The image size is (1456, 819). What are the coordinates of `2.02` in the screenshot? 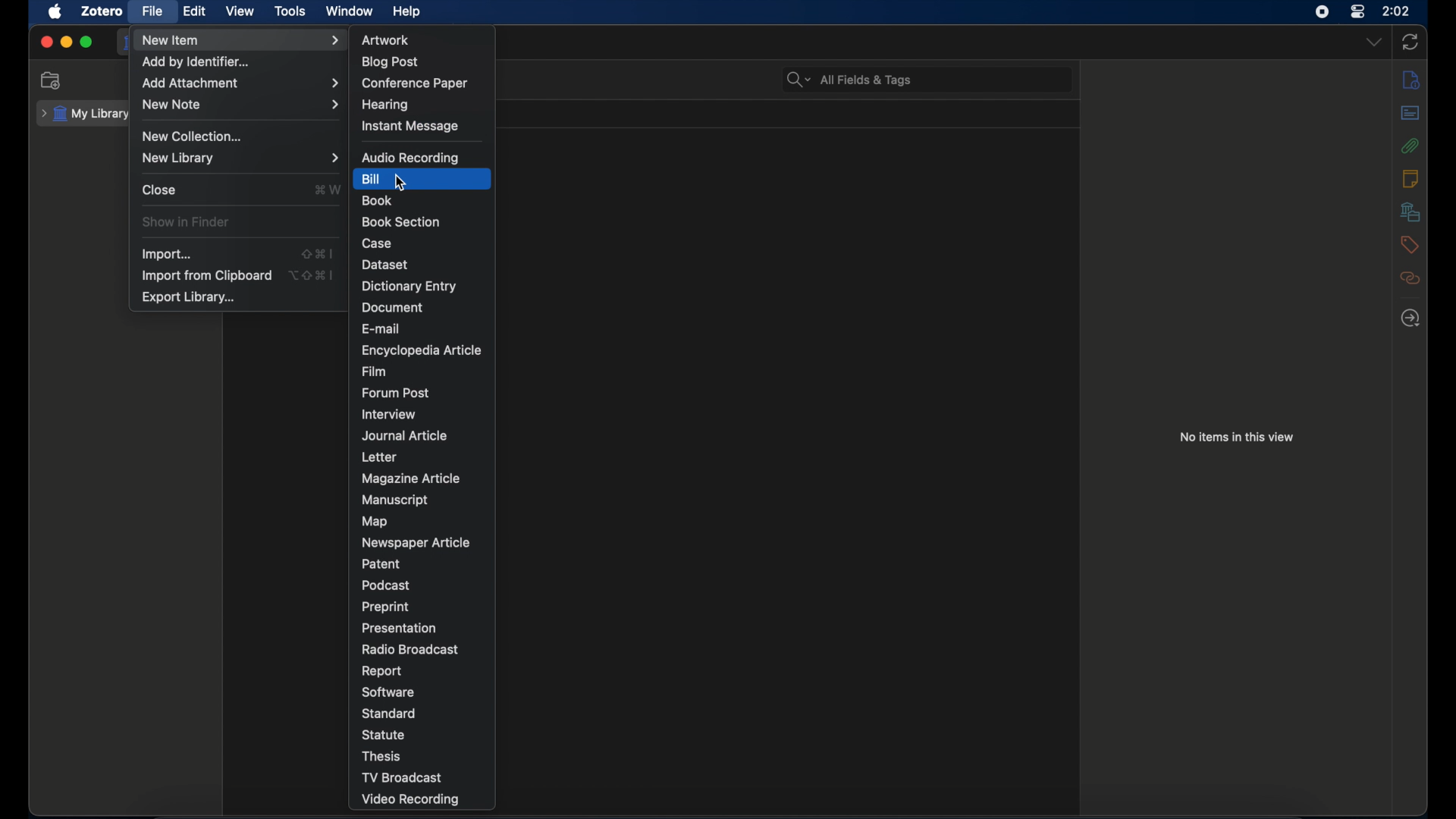 It's located at (1397, 10).